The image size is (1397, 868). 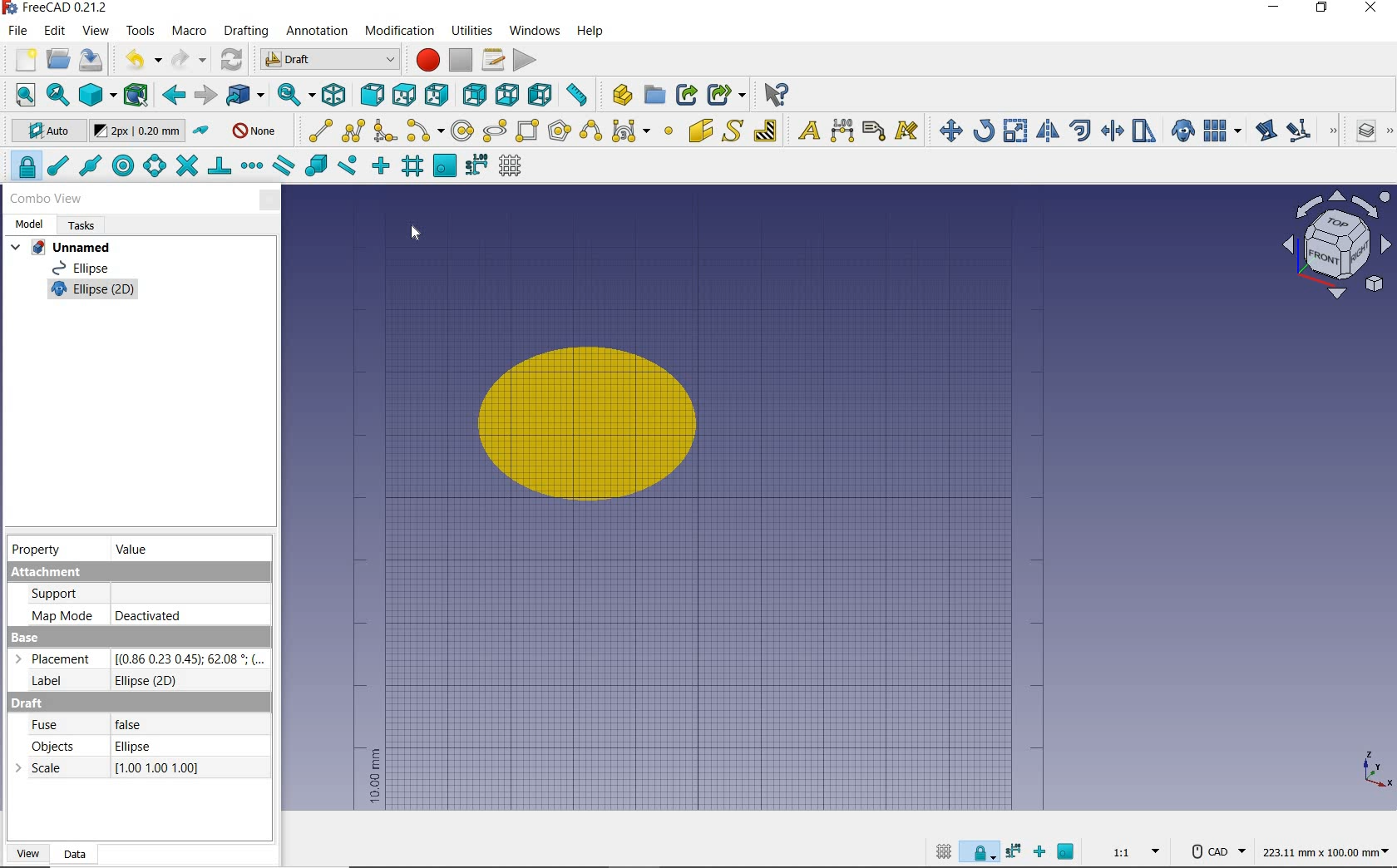 What do you see at coordinates (45, 199) in the screenshot?
I see `combo view` at bounding box center [45, 199].